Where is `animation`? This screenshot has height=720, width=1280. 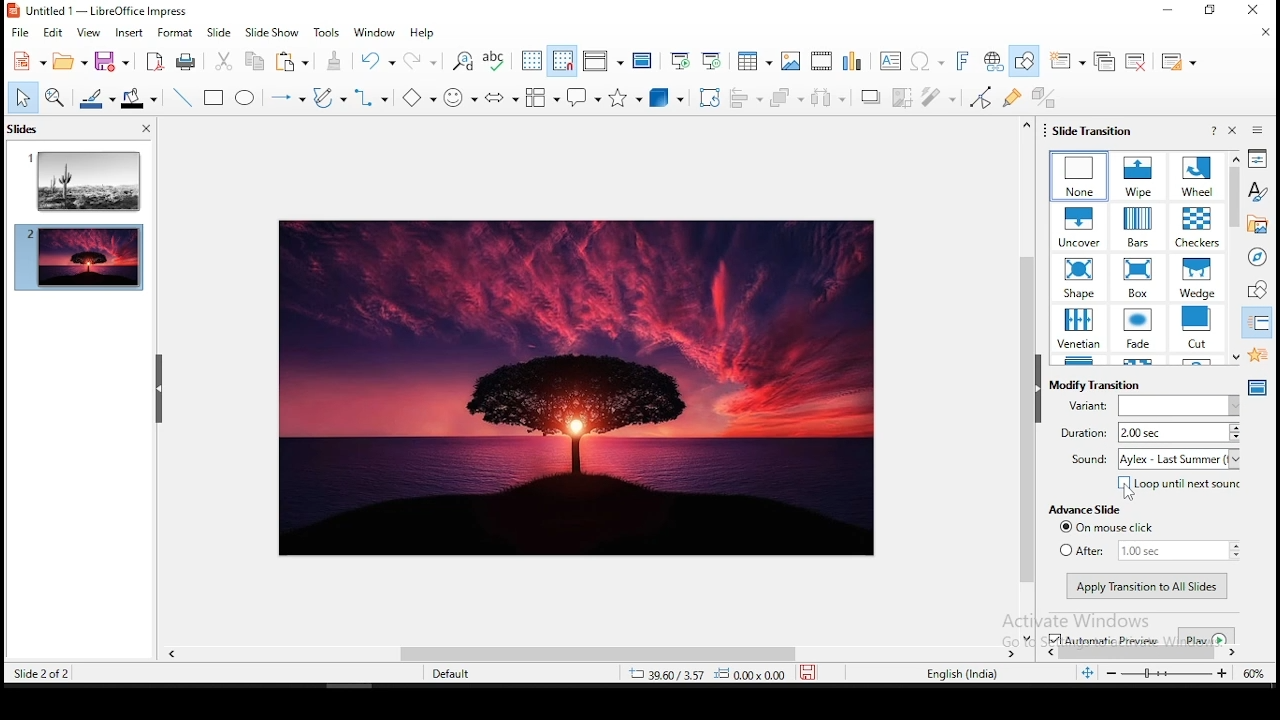
animation is located at coordinates (1255, 355).